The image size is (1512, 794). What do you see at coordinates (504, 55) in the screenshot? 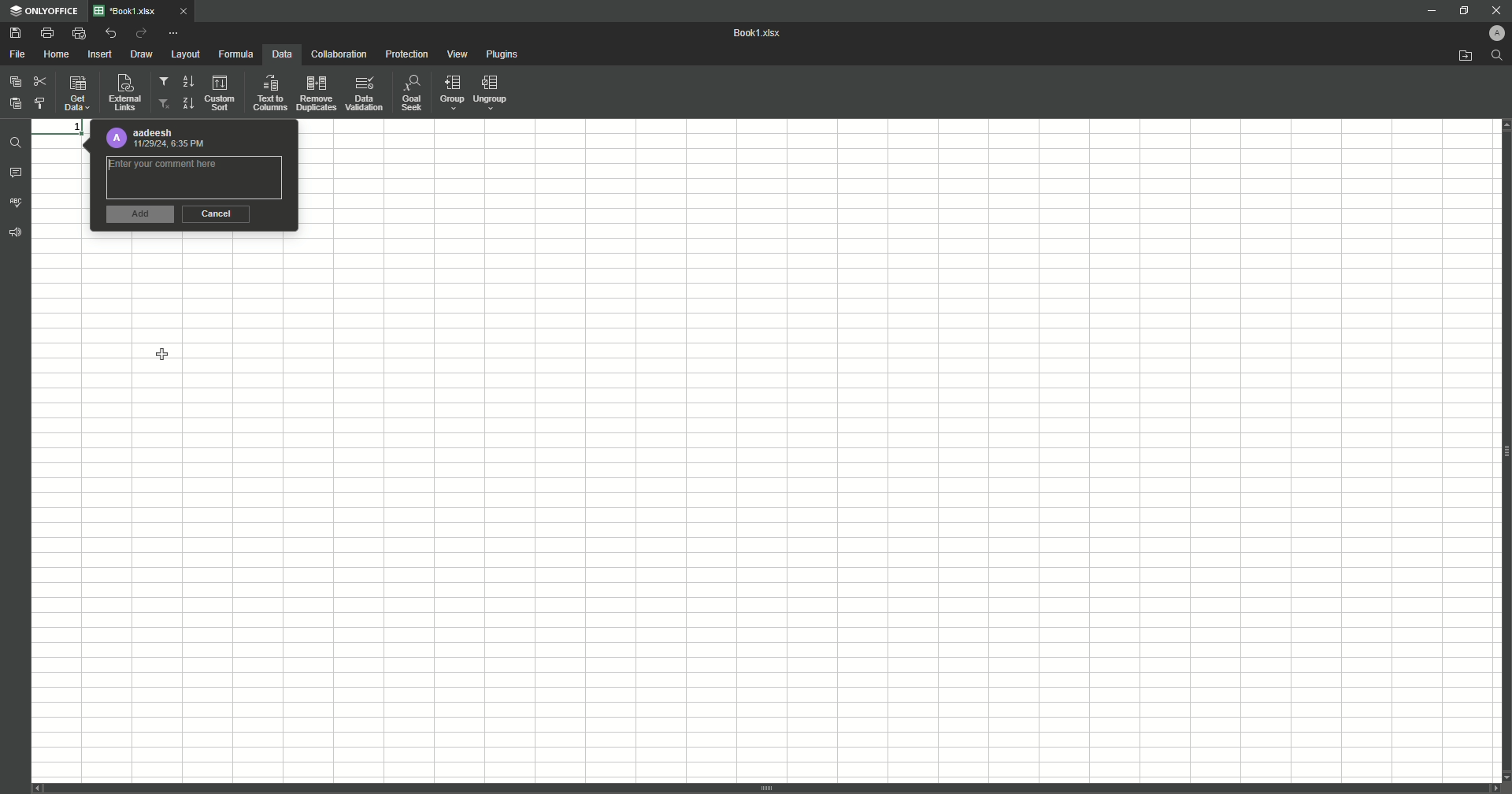
I see `Plugins` at bounding box center [504, 55].